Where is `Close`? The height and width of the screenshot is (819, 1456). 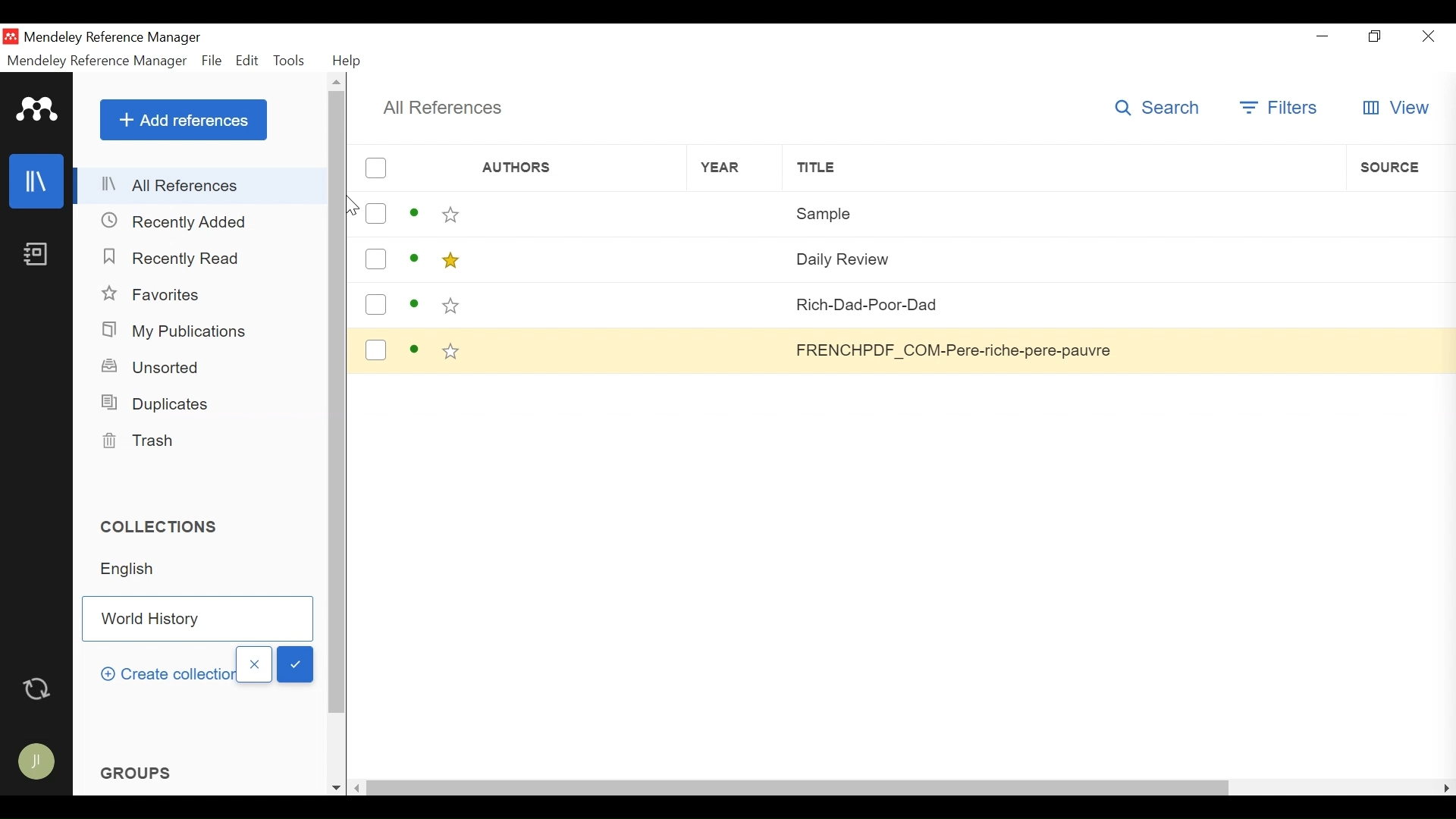
Close is located at coordinates (1426, 36).